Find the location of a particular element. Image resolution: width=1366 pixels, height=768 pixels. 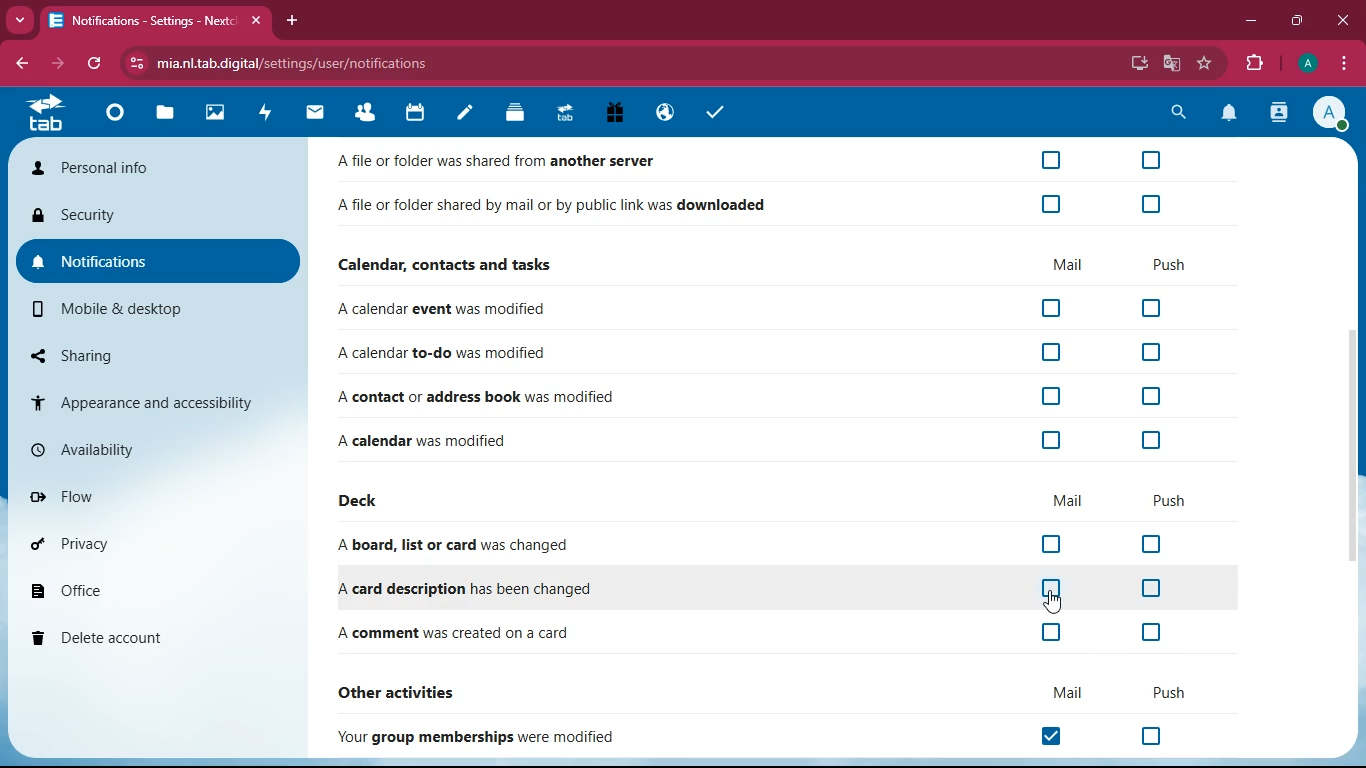

off is located at coordinates (1054, 544).